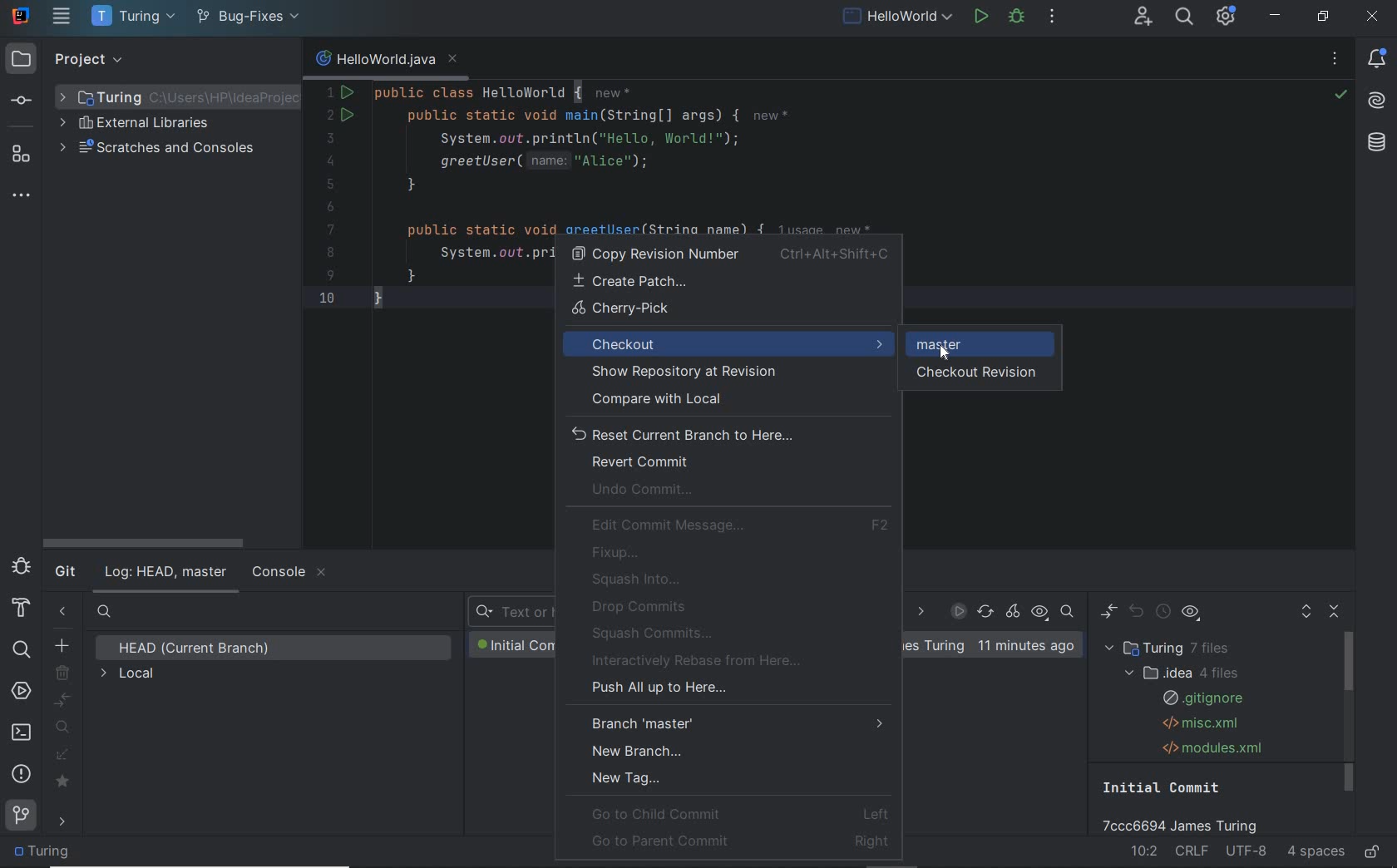 The width and height of the screenshot is (1397, 868). What do you see at coordinates (639, 579) in the screenshot?
I see `squash into` at bounding box center [639, 579].